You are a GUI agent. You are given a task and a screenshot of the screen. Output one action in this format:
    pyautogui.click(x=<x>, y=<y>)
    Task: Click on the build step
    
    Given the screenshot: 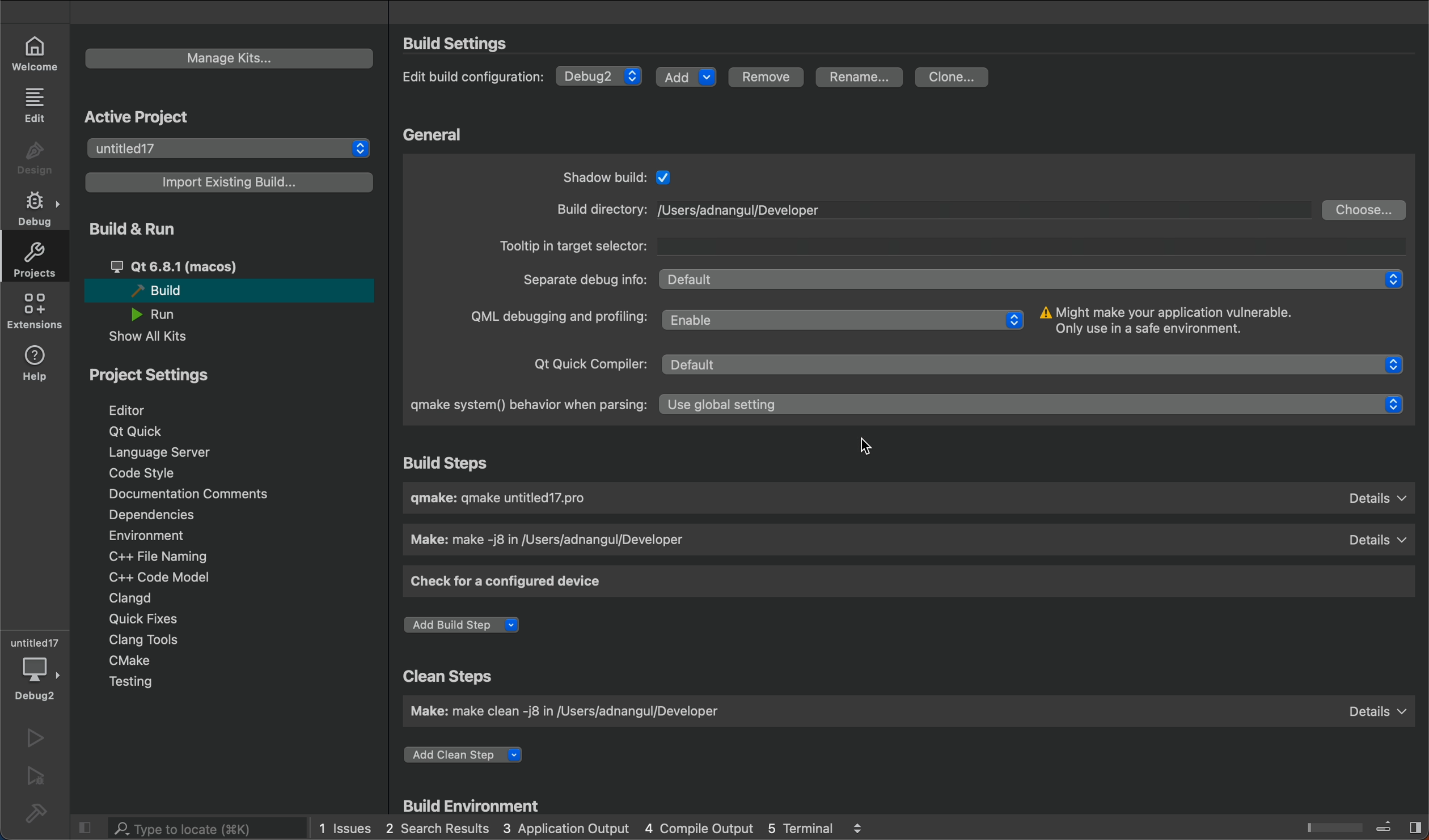 What is the action you would take?
    pyautogui.click(x=459, y=464)
    